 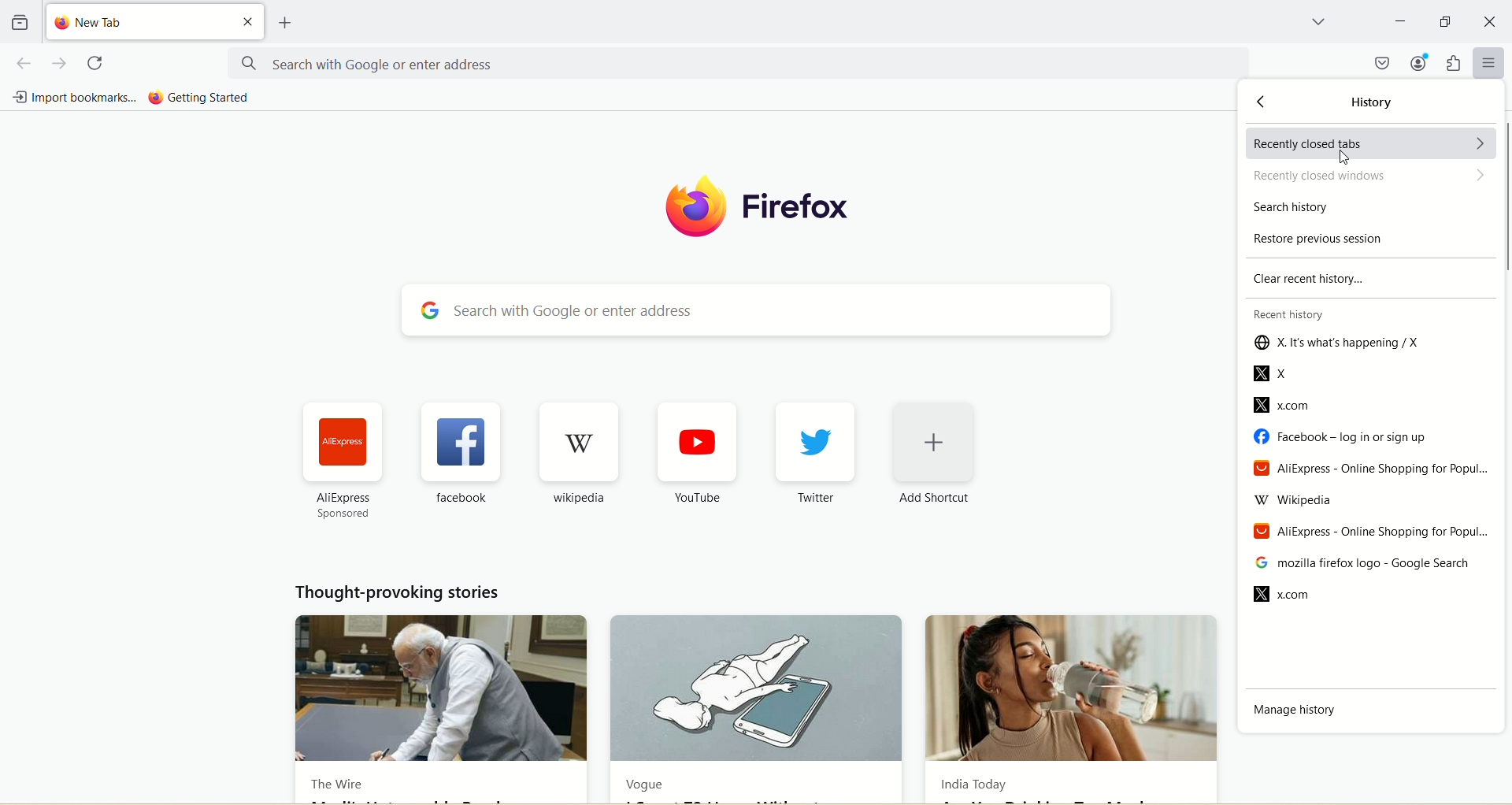 I want to click on logo, so click(x=687, y=208).